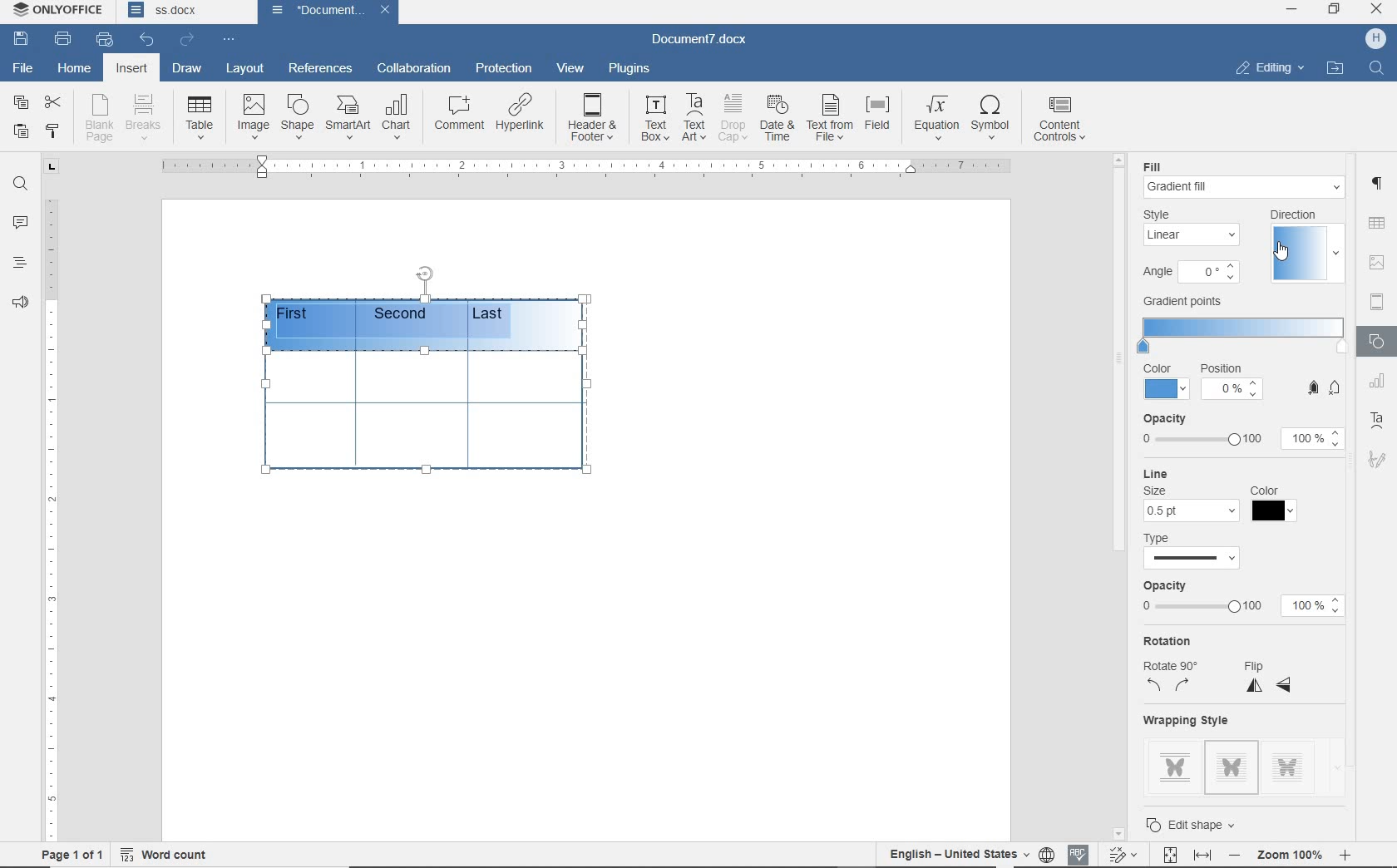  What do you see at coordinates (24, 40) in the screenshot?
I see `save` at bounding box center [24, 40].